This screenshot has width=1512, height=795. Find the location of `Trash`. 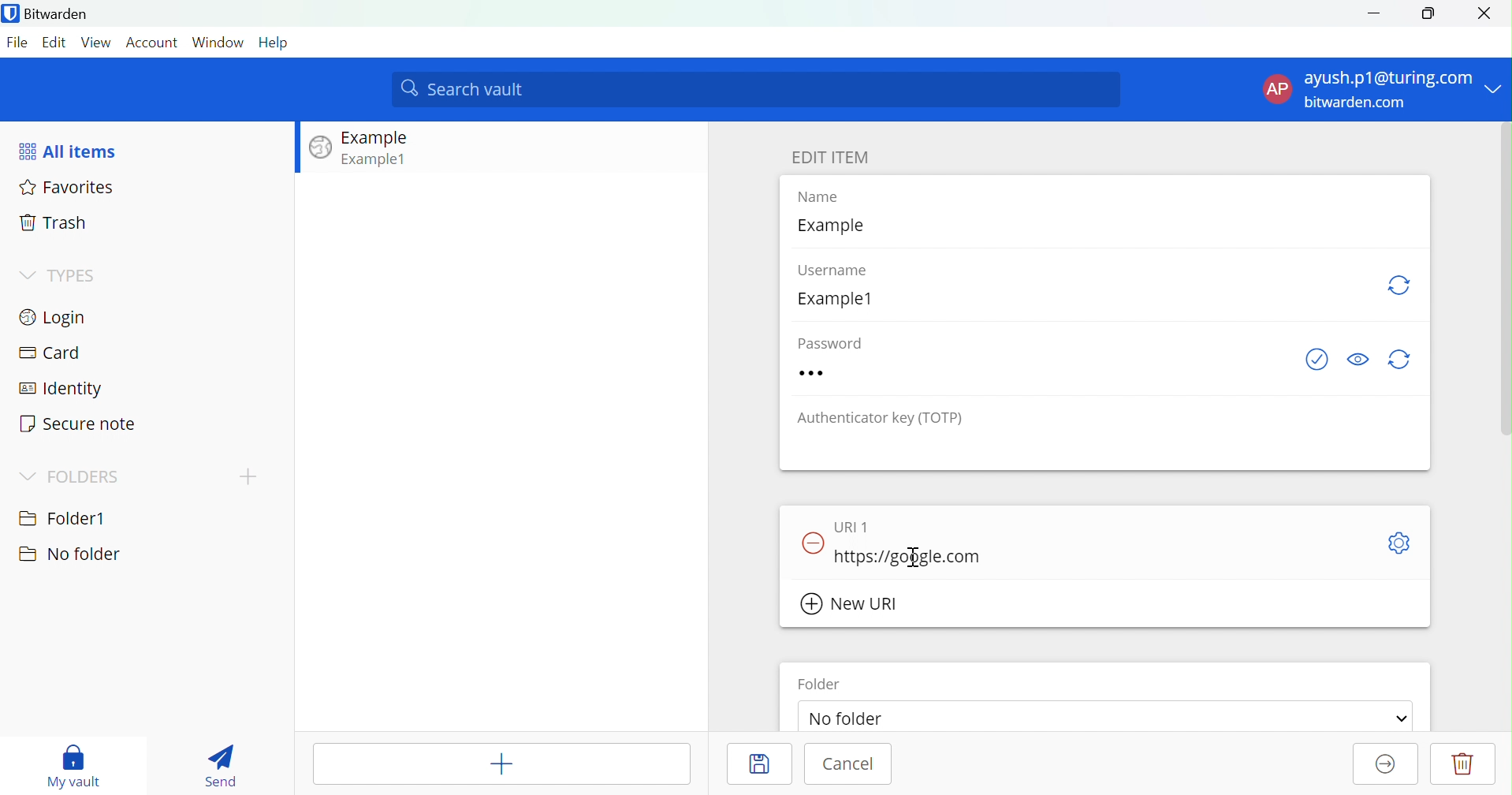

Trash is located at coordinates (55, 224).